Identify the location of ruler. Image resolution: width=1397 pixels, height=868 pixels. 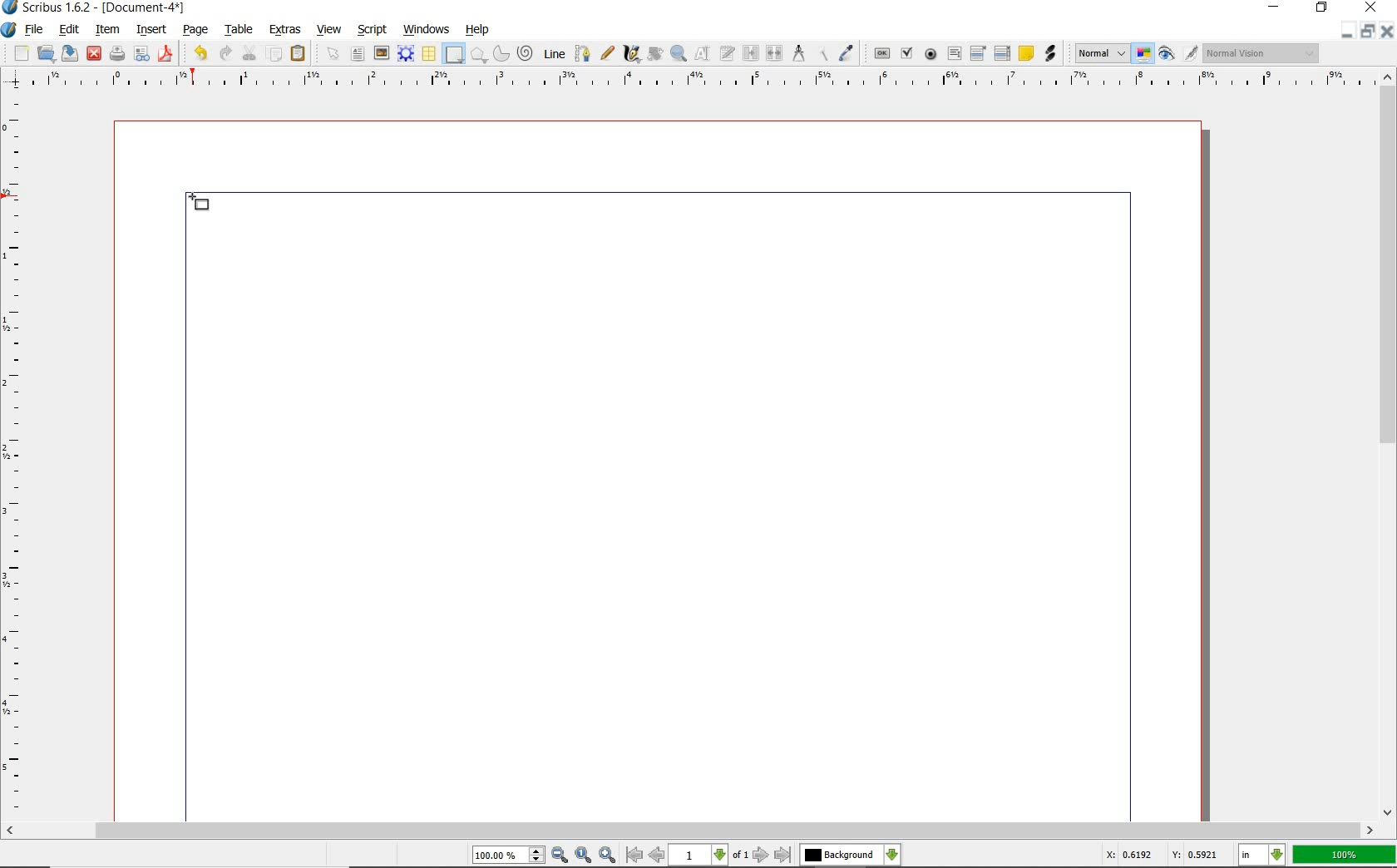
(701, 79).